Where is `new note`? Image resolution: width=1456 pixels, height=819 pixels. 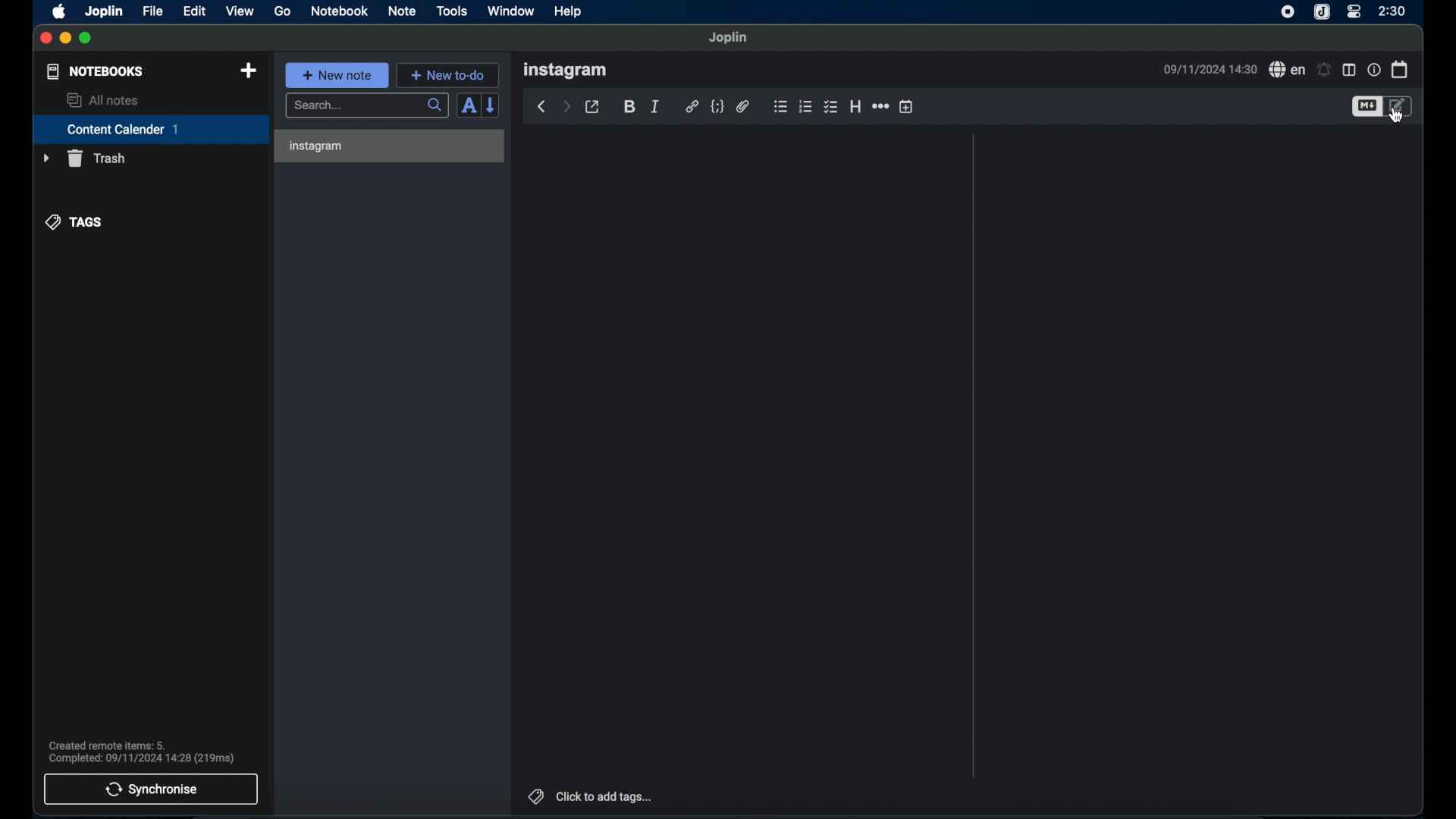 new note is located at coordinates (337, 75).